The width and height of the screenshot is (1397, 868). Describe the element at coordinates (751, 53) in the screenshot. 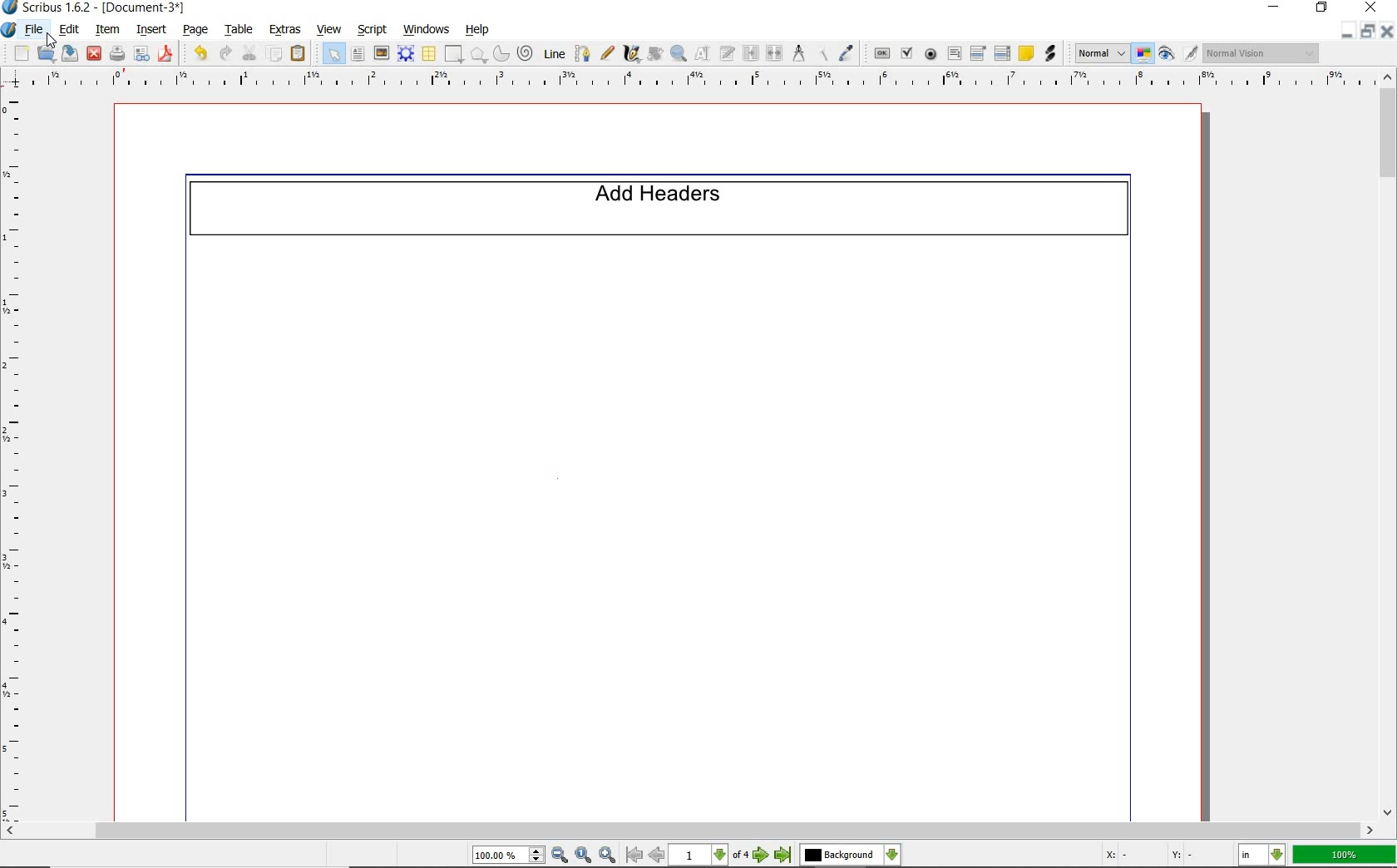

I see `link text frames` at that location.